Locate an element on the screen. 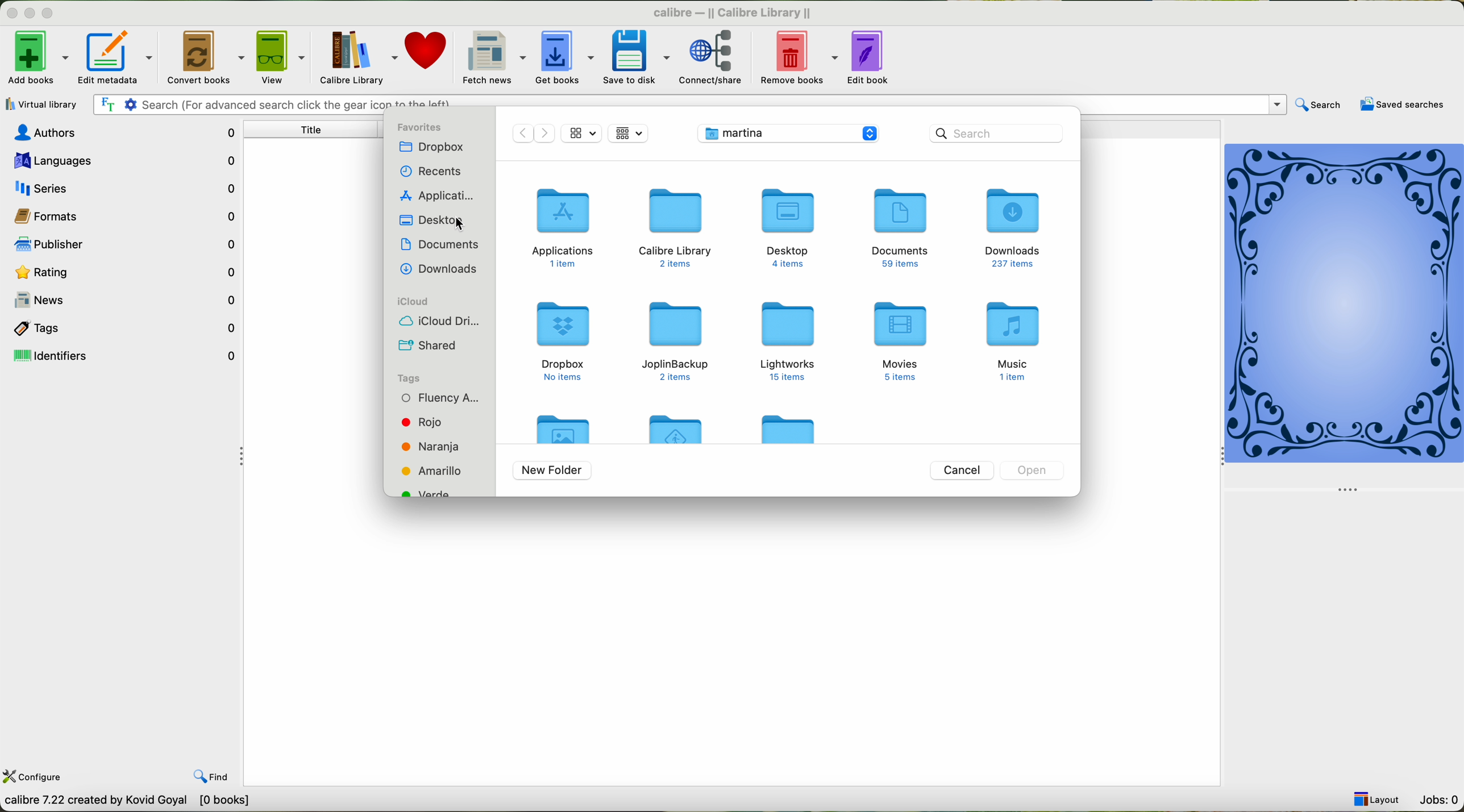 The height and width of the screenshot is (812, 1464). dropbox is located at coordinates (432, 146).